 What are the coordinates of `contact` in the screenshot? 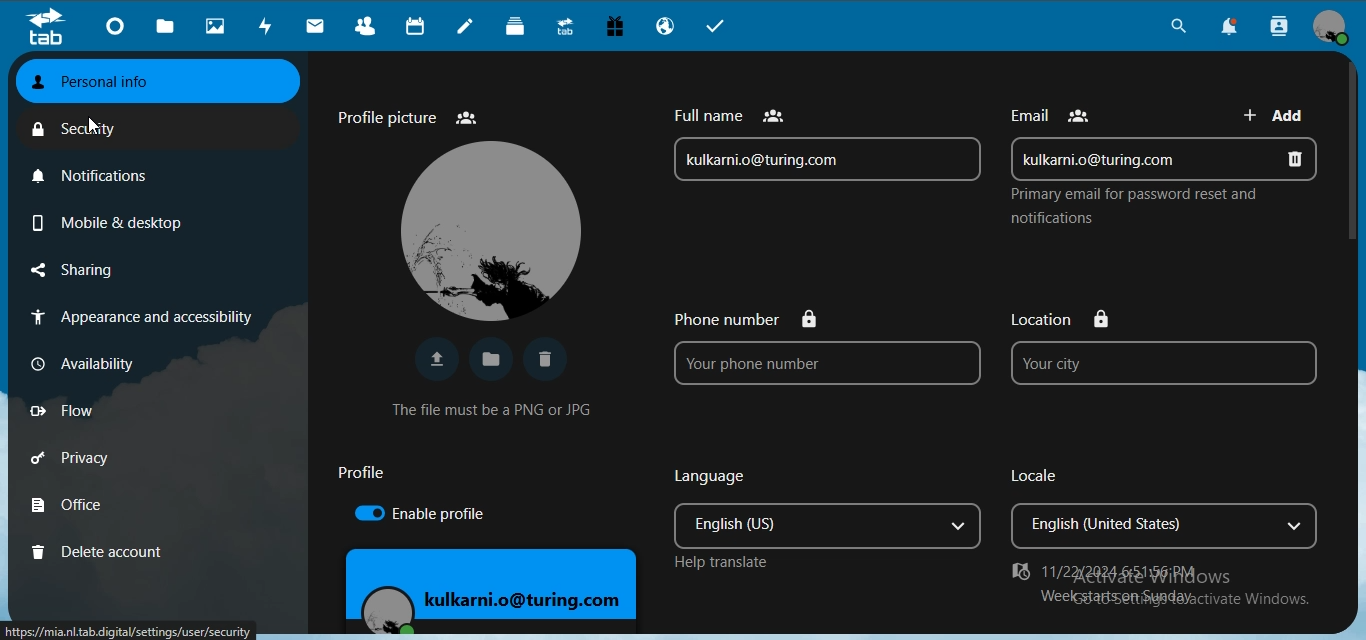 It's located at (365, 27).